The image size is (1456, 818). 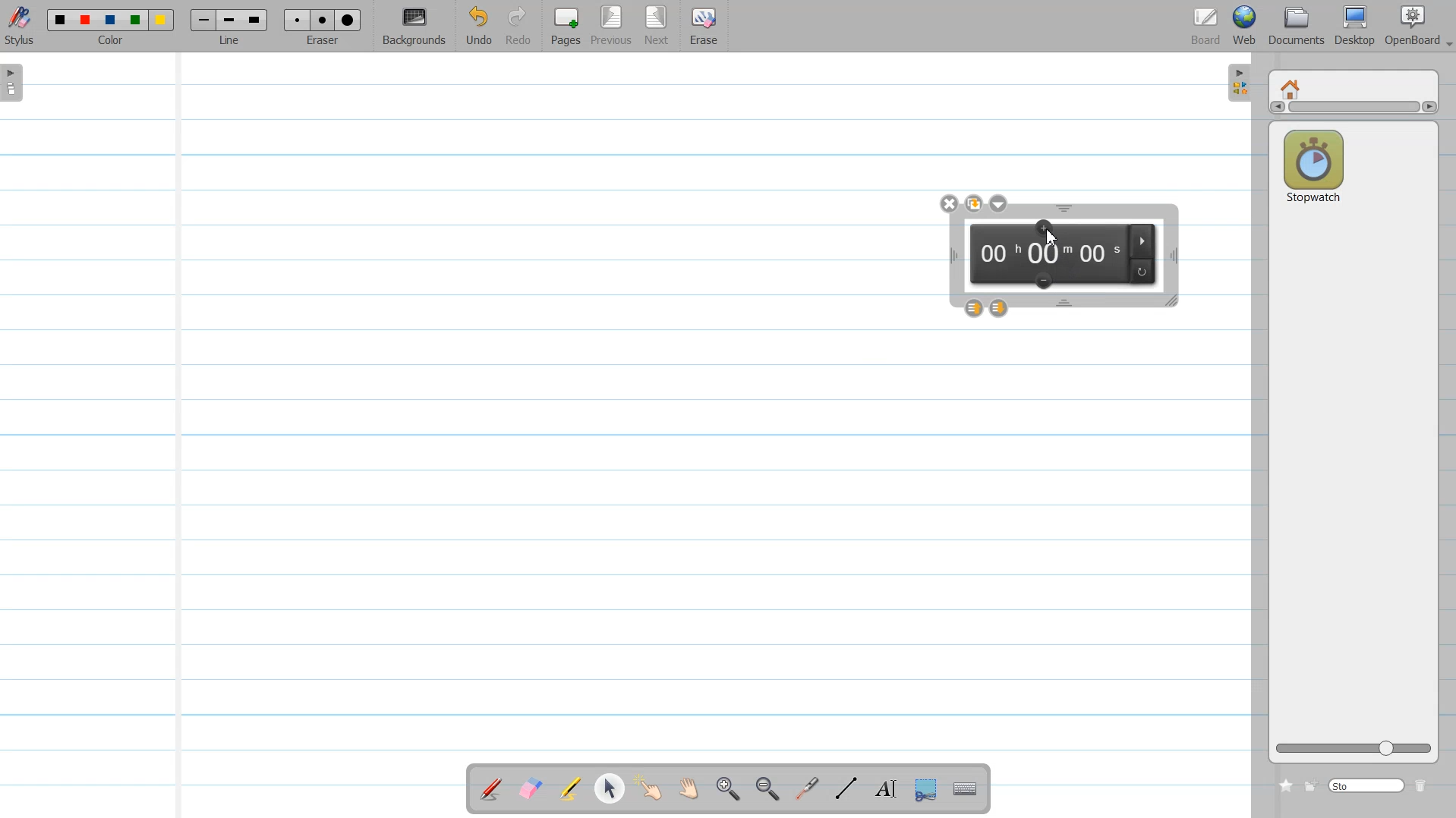 What do you see at coordinates (949, 203) in the screenshot?
I see `close` at bounding box center [949, 203].